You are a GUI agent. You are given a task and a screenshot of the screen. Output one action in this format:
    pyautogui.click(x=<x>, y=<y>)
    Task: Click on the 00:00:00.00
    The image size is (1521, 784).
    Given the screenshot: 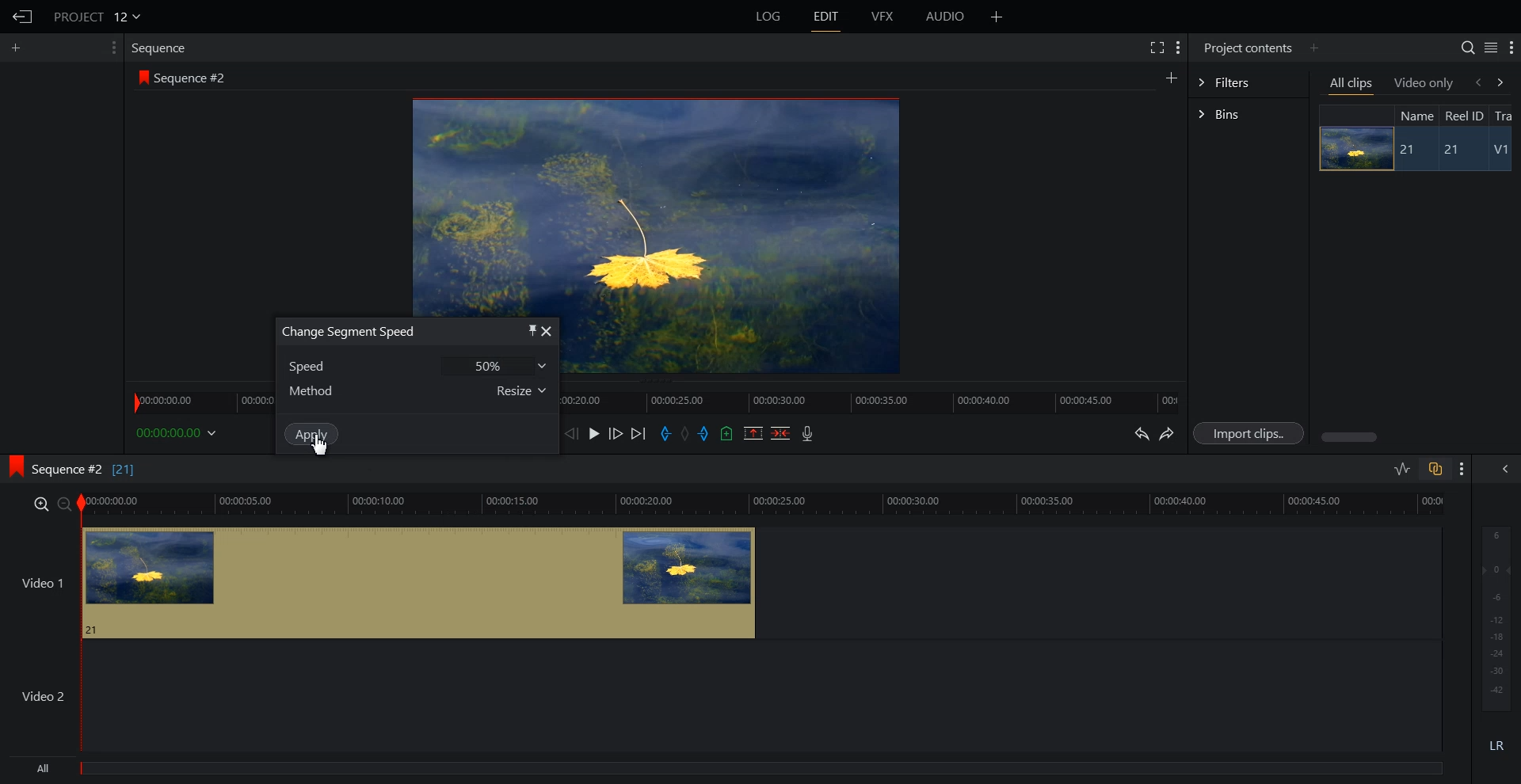 What is the action you would take?
    pyautogui.click(x=179, y=432)
    